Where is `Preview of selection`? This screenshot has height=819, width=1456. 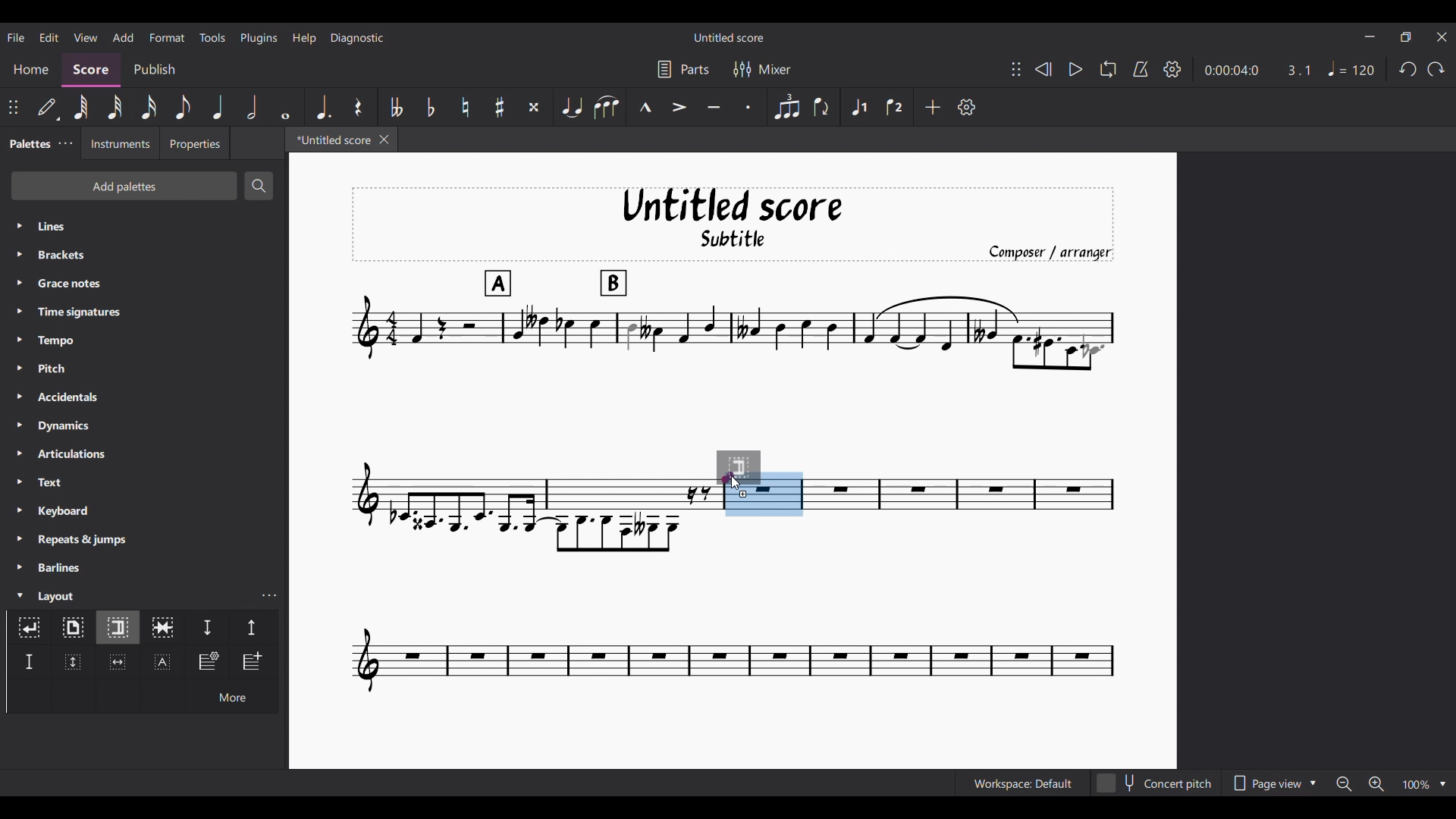
Preview of selection is located at coordinates (750, 467).